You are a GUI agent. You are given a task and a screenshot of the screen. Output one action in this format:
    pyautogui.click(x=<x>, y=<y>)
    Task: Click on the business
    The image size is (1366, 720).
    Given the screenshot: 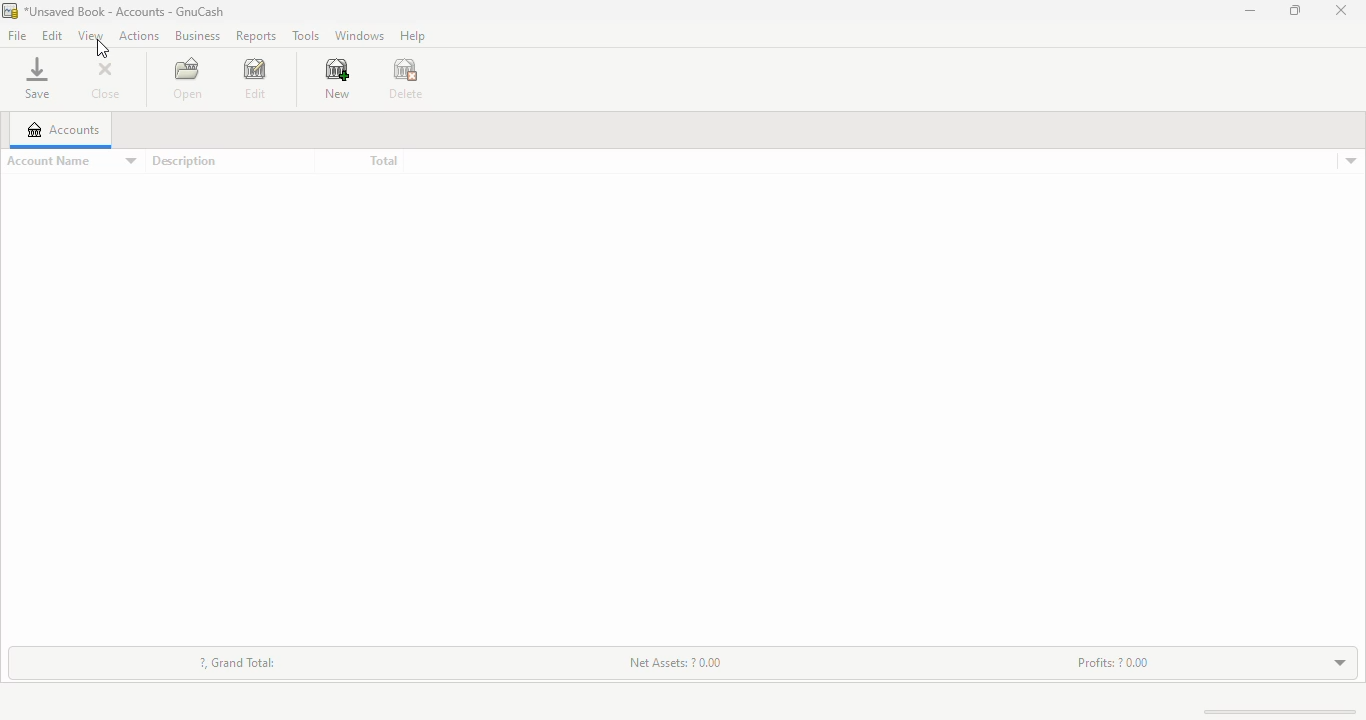 What is the action you would take?
    pyautogui.click(x=197, y=35)
    